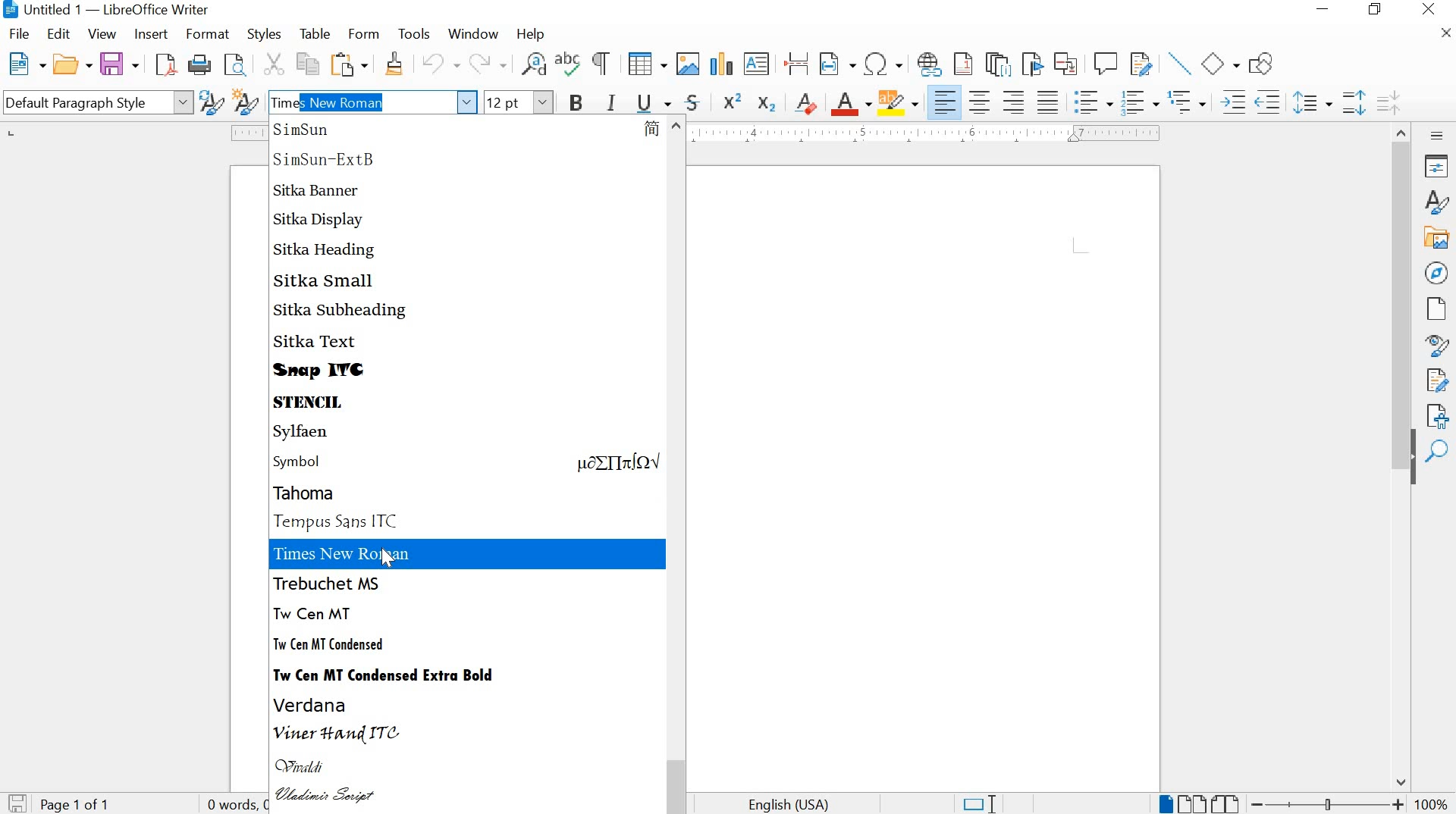  Describe the element at coordinates (165, 66) in the screenshot. I see `SAVE AS PDF` at that location.